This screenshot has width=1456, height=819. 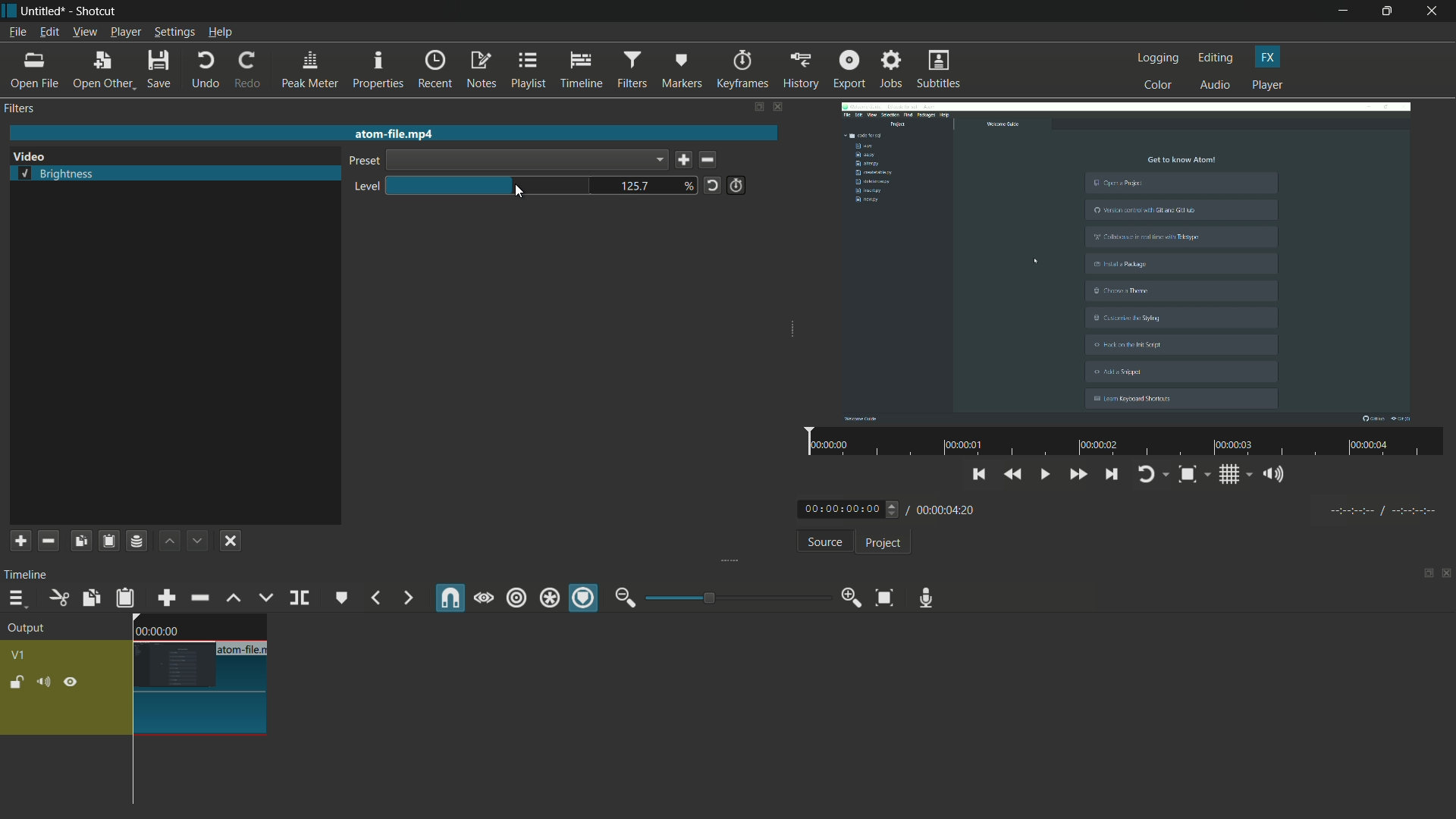 What do you see at coordinates (165, 598) in the screenshot?
I see `append` at bounding box center [165, 598].